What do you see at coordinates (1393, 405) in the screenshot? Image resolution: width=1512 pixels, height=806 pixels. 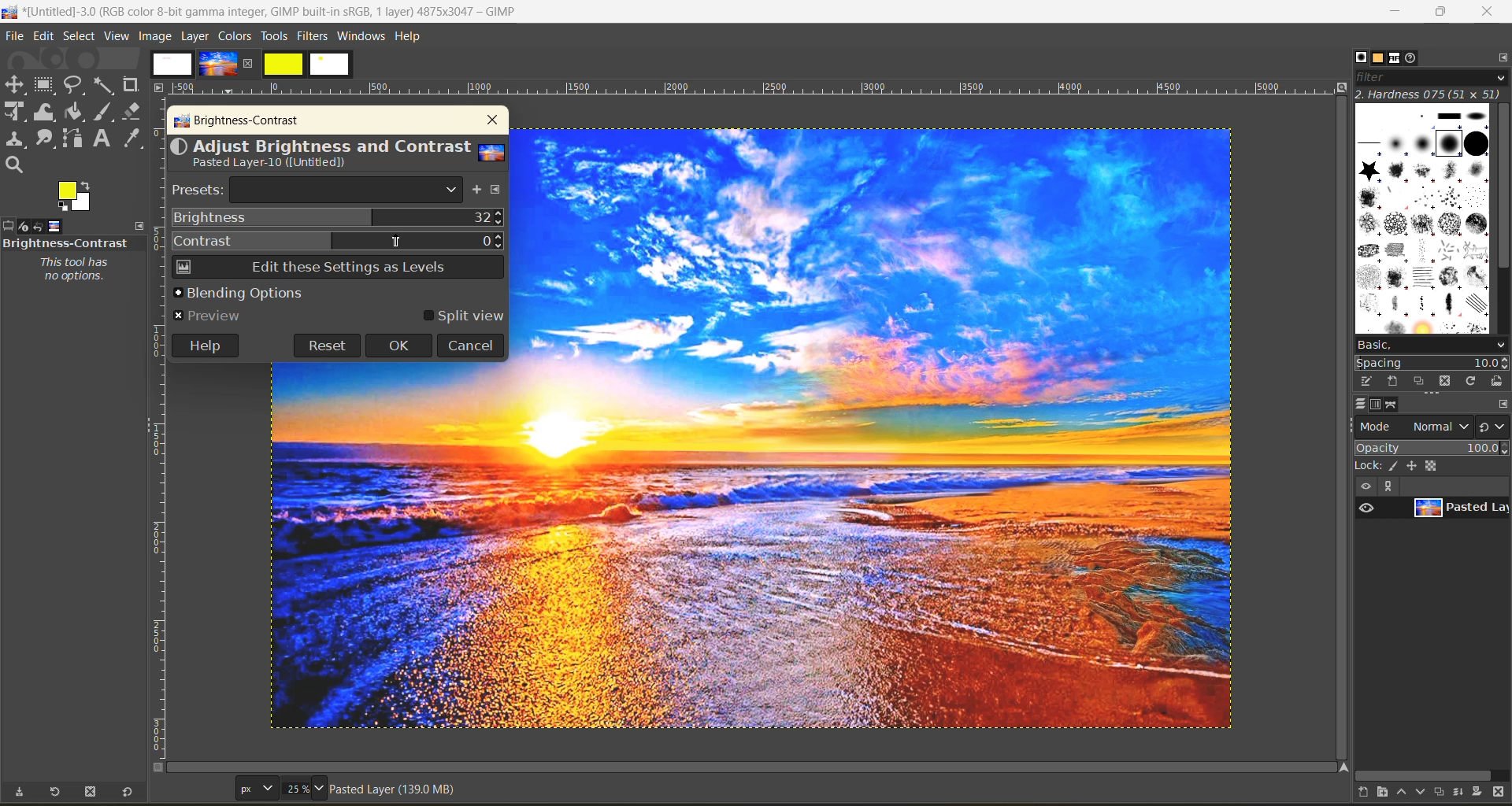 I see `paths` at bounding box center [1393, 405].